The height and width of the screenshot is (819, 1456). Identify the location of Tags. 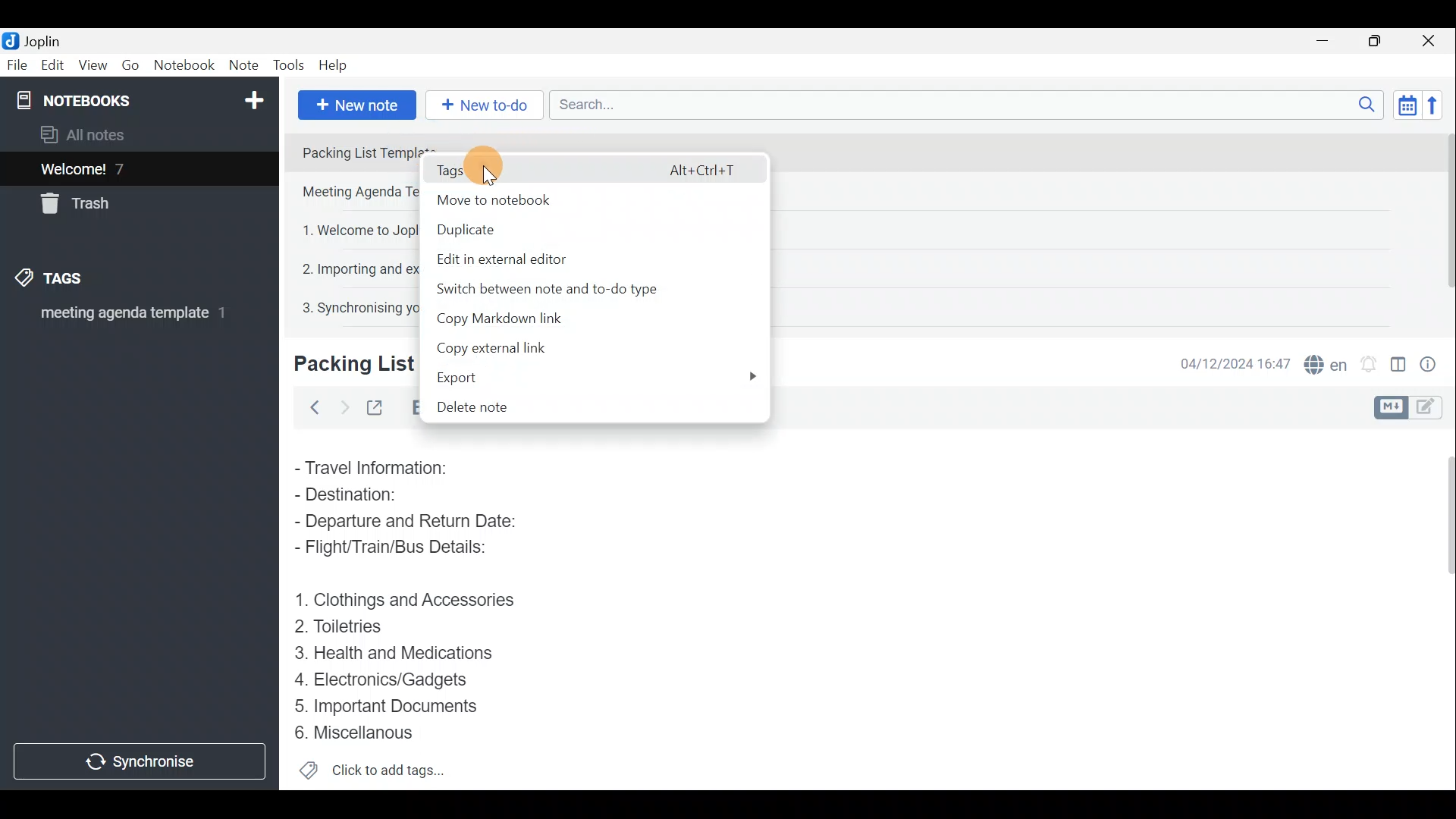
(74, 281).